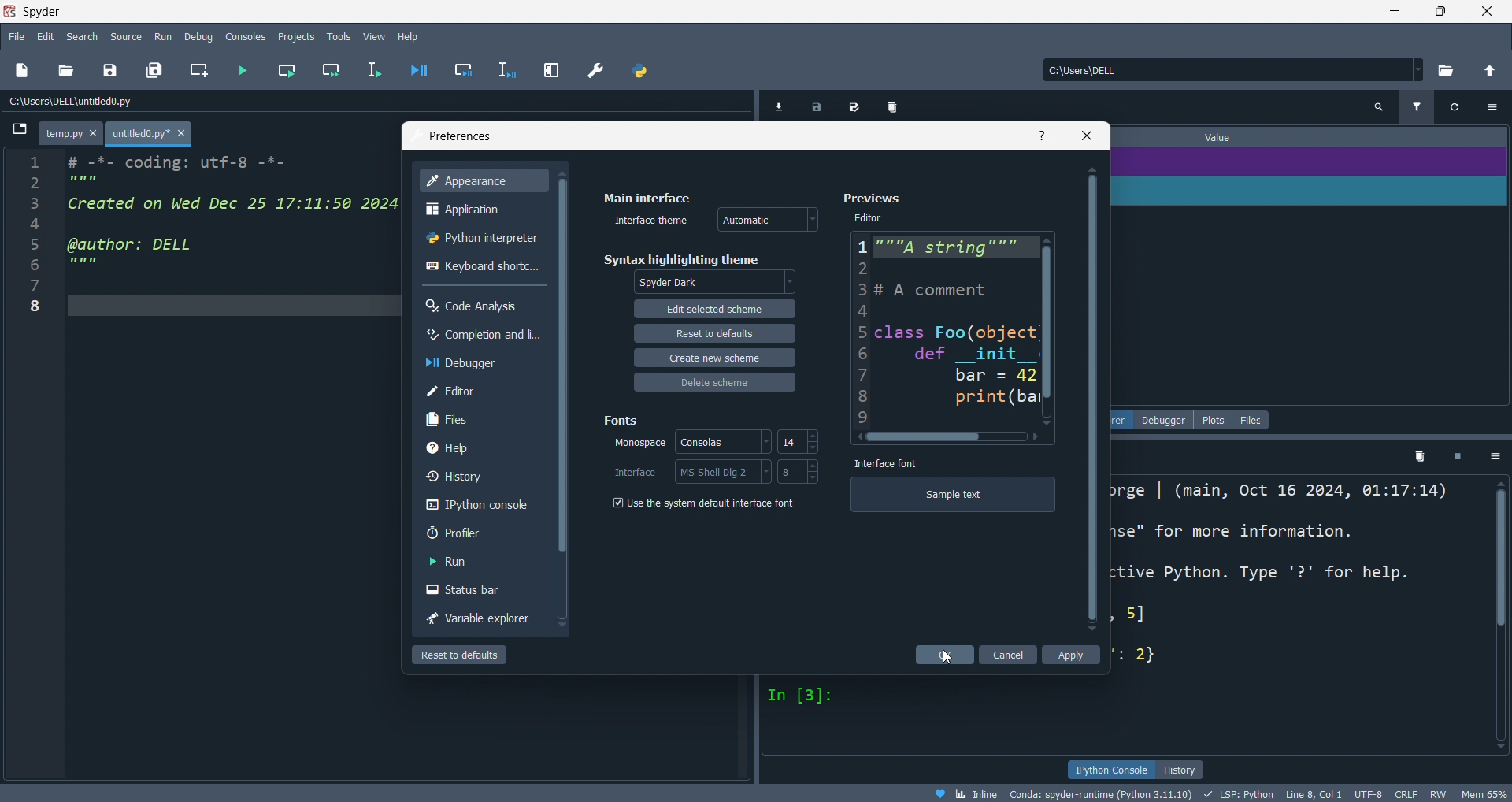 This screenshot has width=1512, height=802. What do you see at coordinates (815, 436) in the screenshot?
I see `increase ` at bounding box center [815, 436].